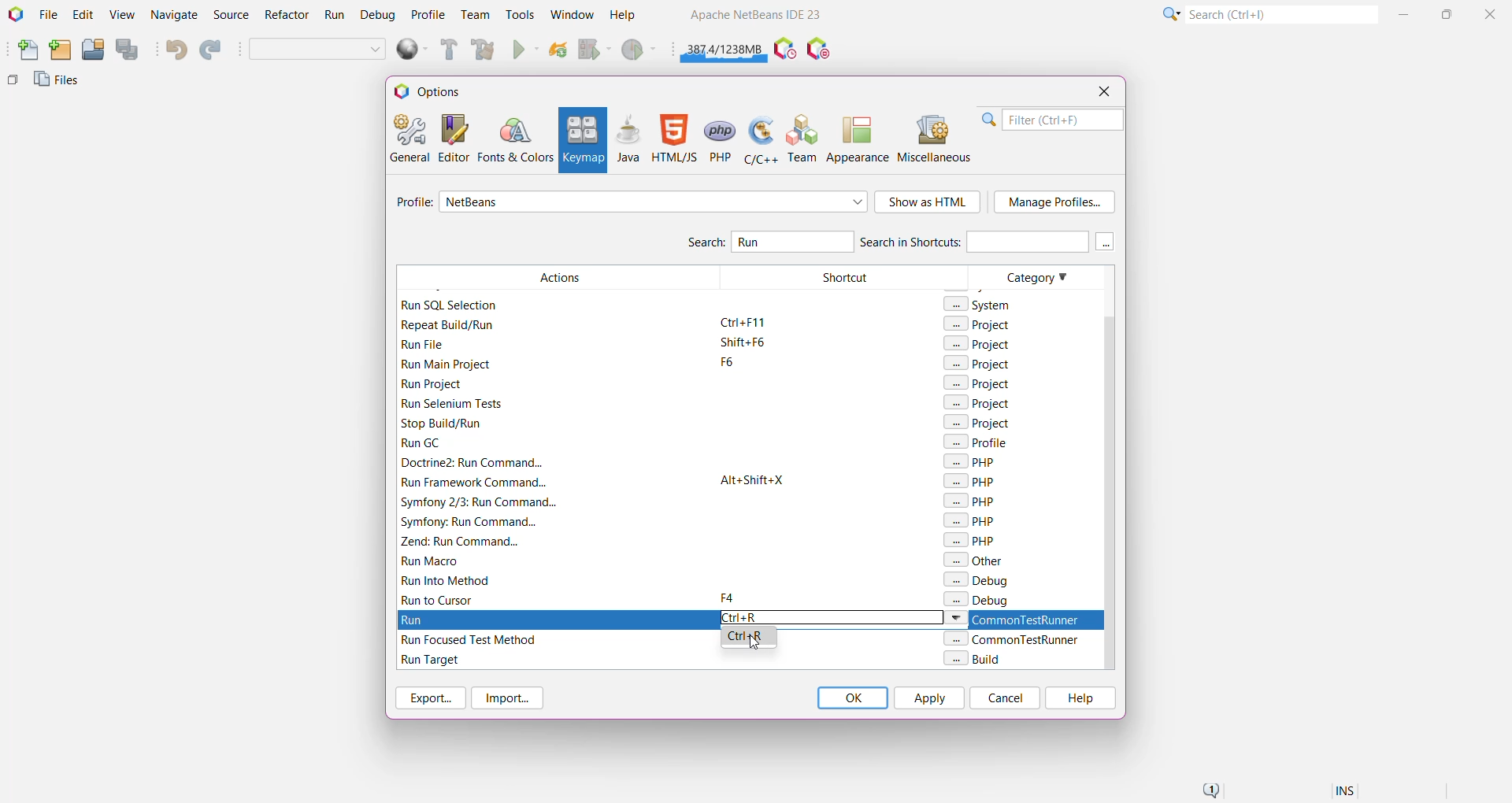 The width and height of the screenshot is (1512, 803). What do you see at coordinates (630, 17) in the screenshot?
I see `Help` at bounding box center [630, 17].